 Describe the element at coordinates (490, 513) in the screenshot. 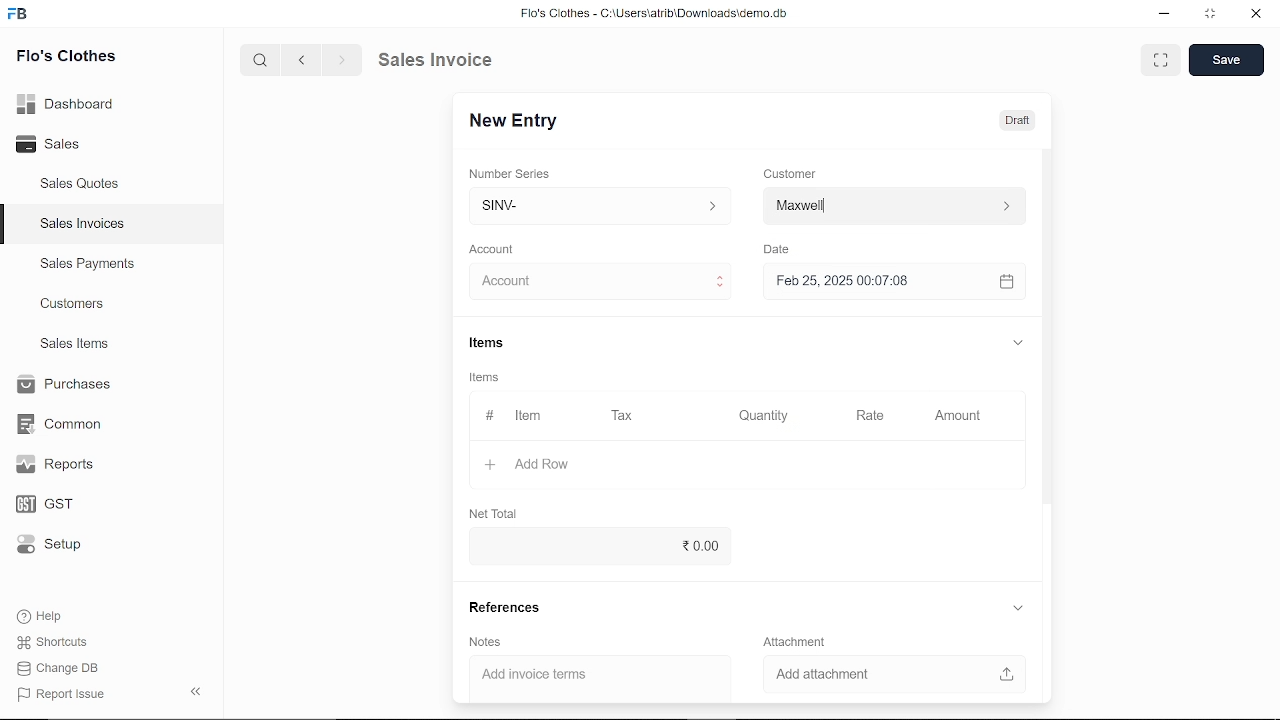

I see `Net Total` at that location.